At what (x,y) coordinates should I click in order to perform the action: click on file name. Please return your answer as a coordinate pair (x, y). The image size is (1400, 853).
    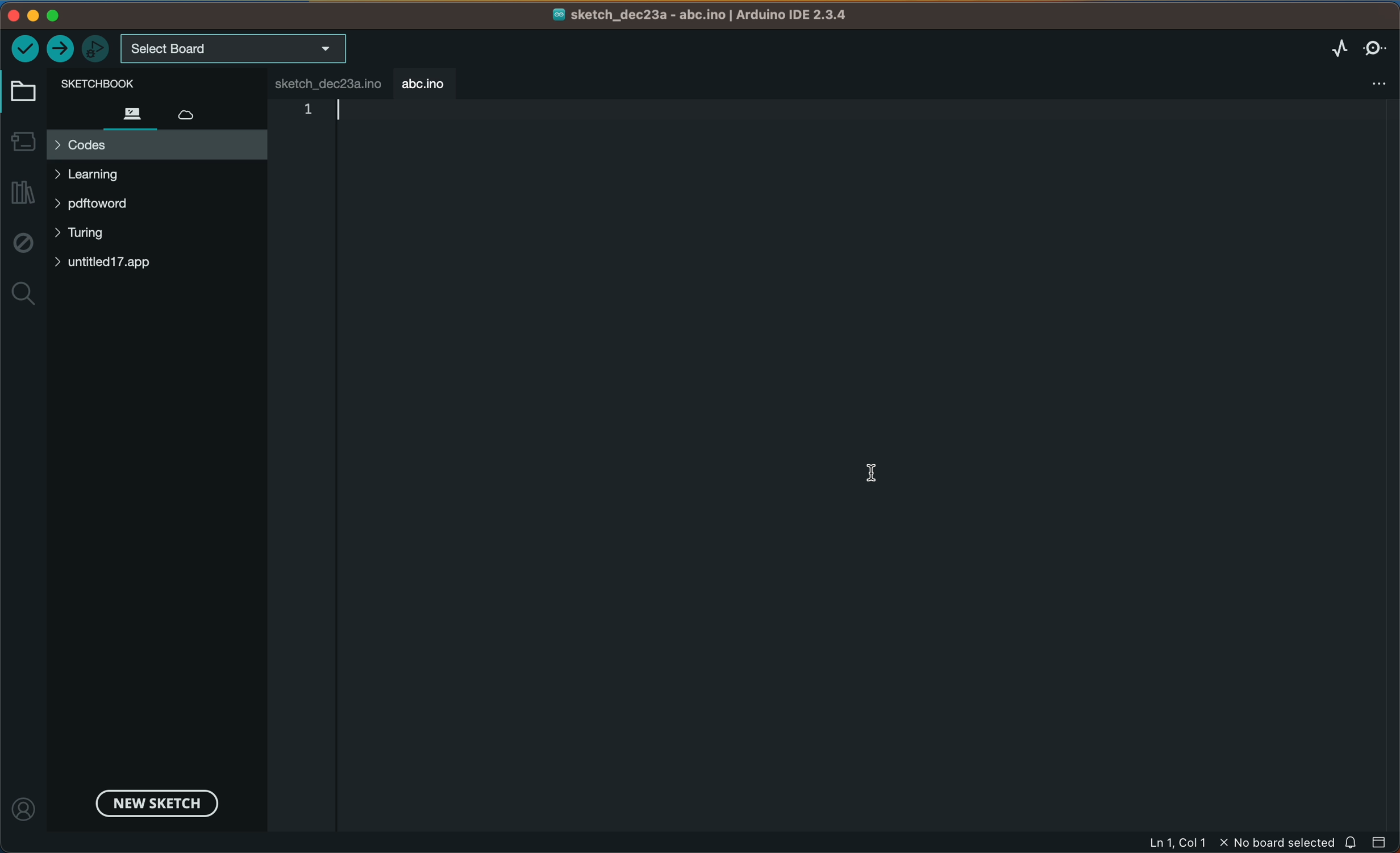
    Looking at the image, I should click on (701, 15).